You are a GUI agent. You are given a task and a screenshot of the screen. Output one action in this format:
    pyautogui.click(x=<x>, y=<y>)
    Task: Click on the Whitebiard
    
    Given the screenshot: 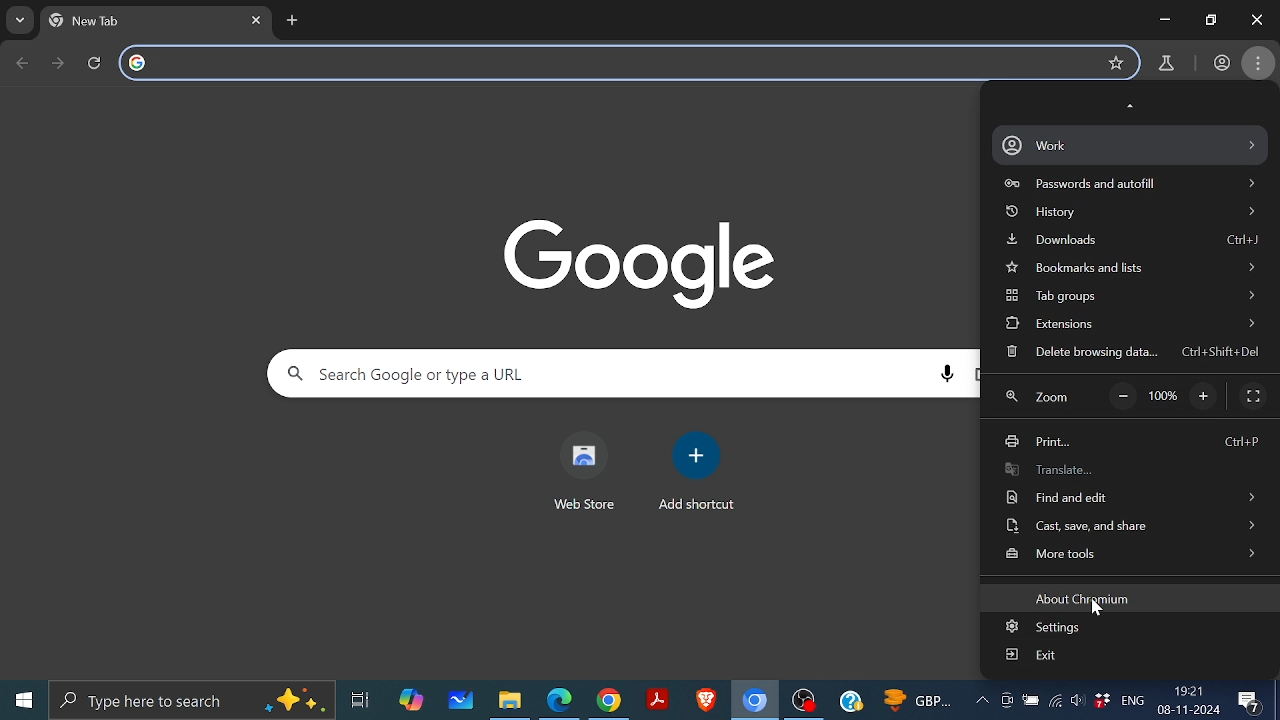 What is the action you would take?
    pyautogui.click(x=462, y=699)
    